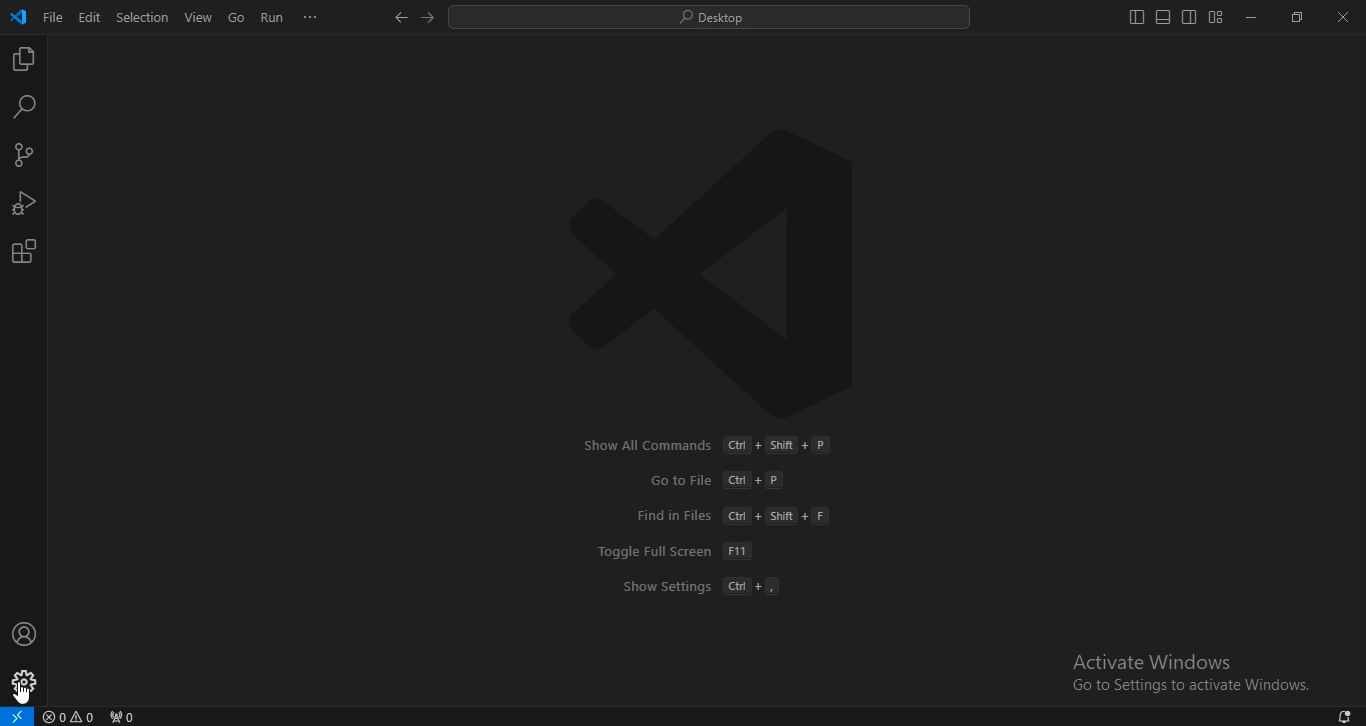 Image resolution: width=1366 pixels, height=726 pixels. Describe the element at coordinates (312, 21) in the screenshot. I see `...` at that location.